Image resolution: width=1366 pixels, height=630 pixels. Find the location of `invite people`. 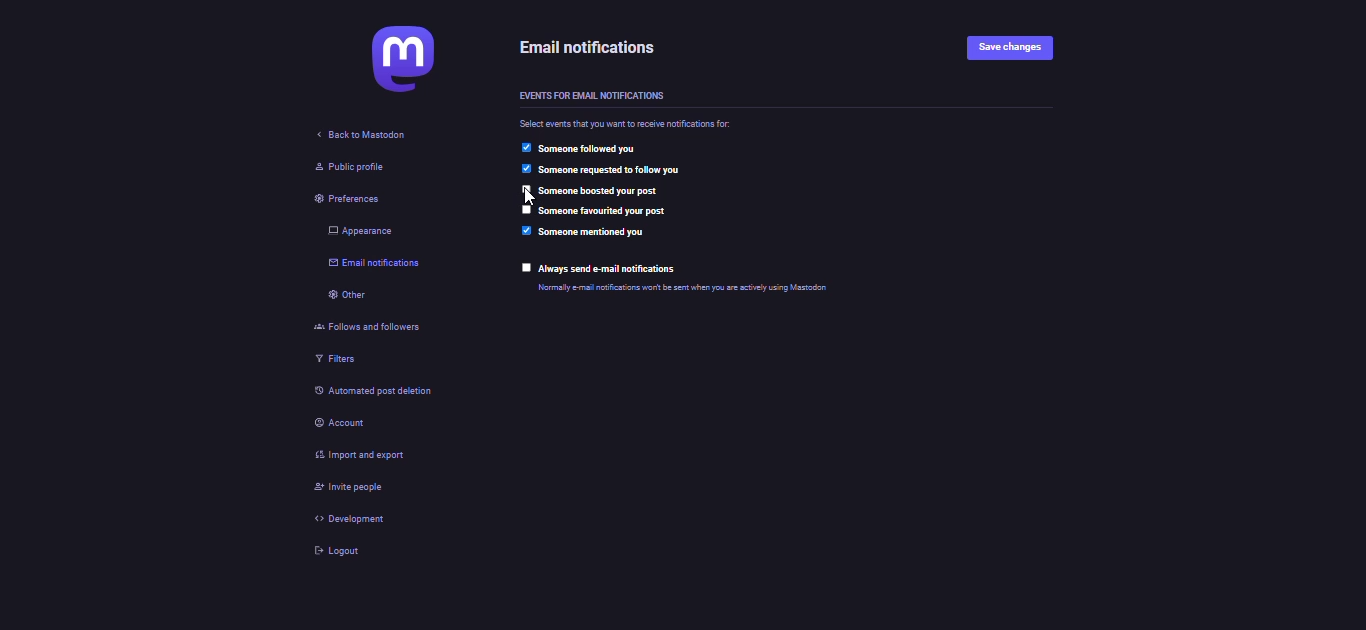

invite people is located at coordinates (342, 486).